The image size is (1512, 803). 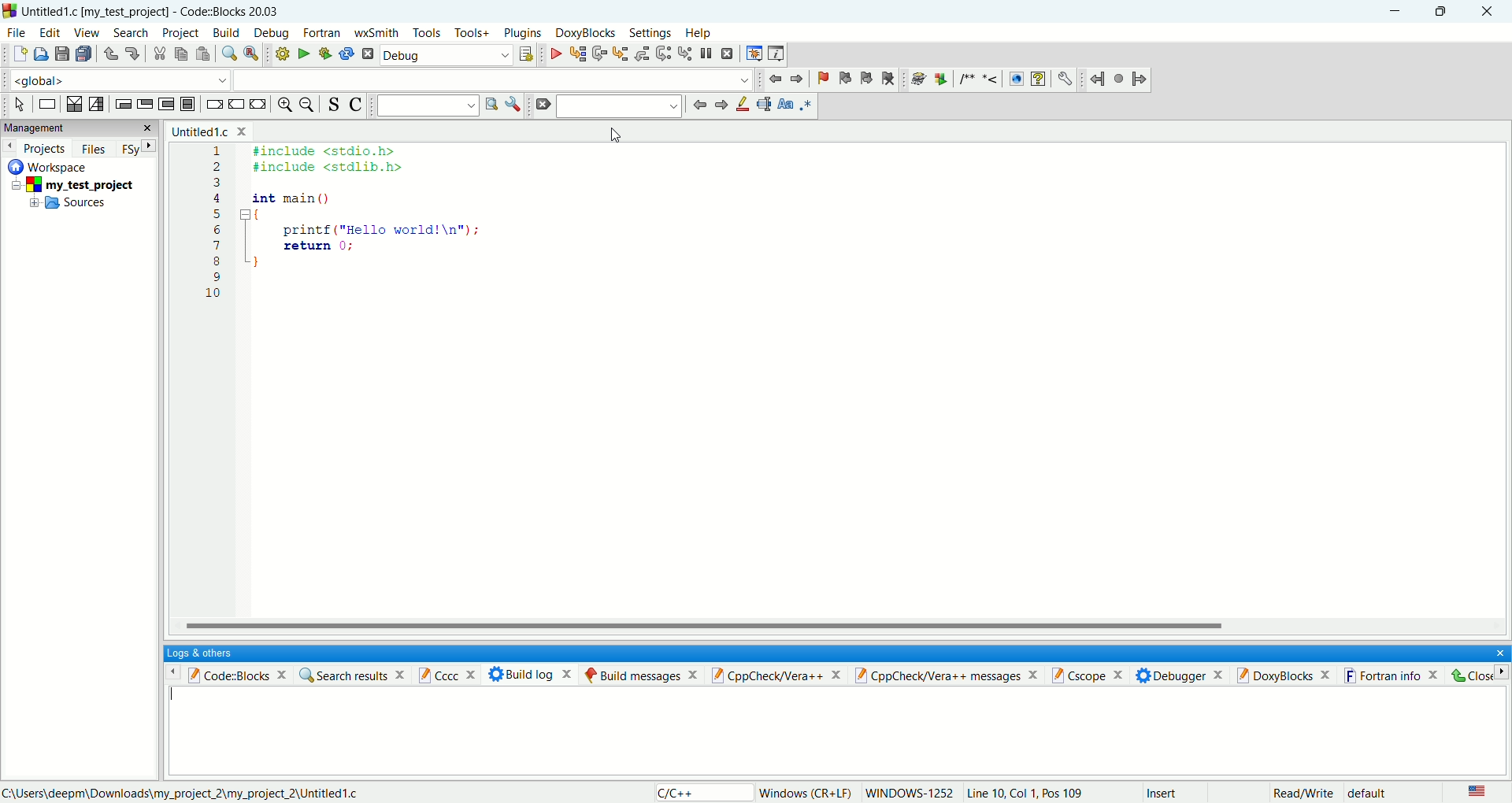 What do you see at coordinates (367, 54) in the screenshot?
I see `abort` at bounding box center [367, 54].